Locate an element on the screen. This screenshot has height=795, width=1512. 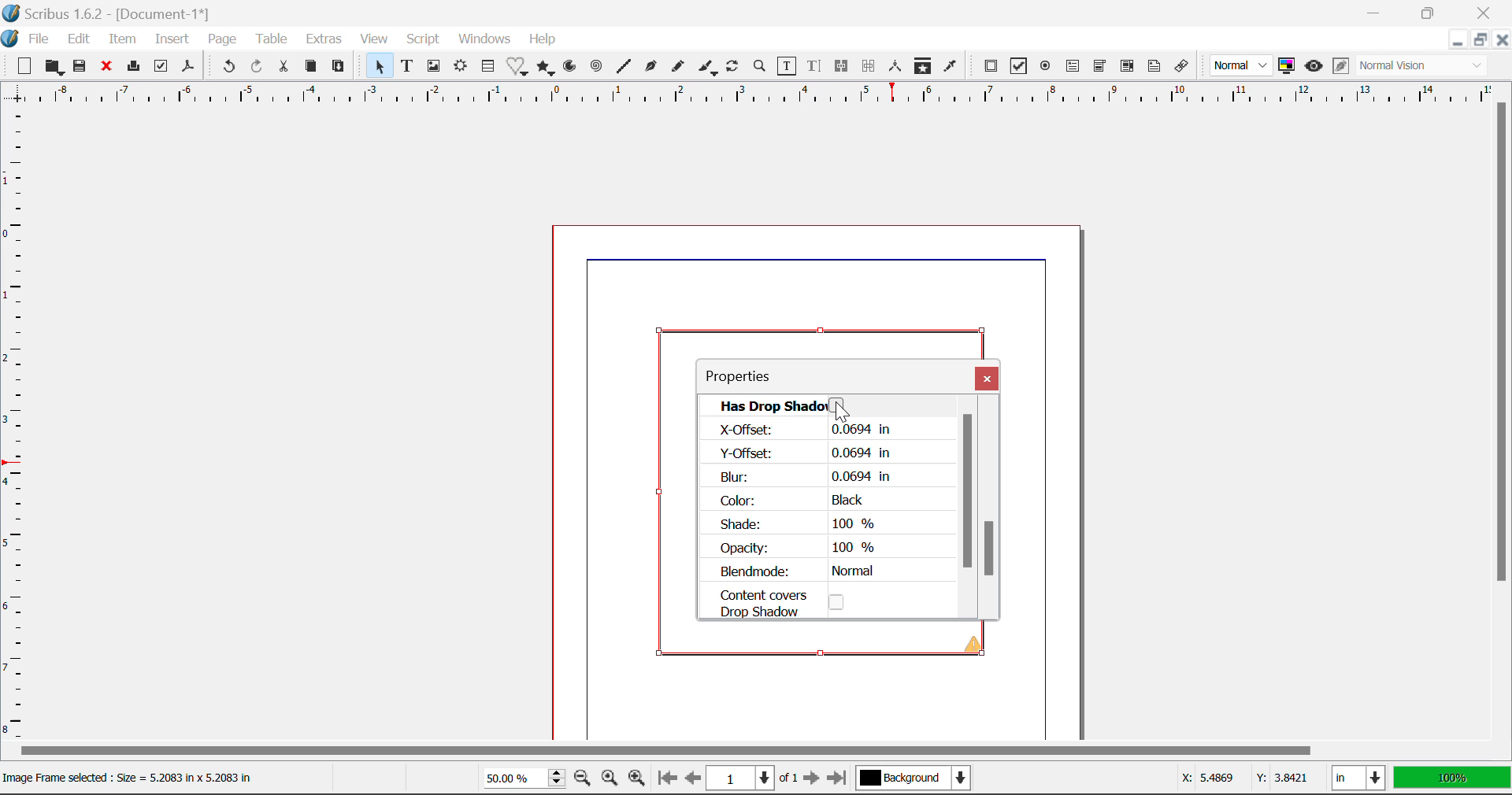
Scroll Bar is located at coordinates (972, 515).